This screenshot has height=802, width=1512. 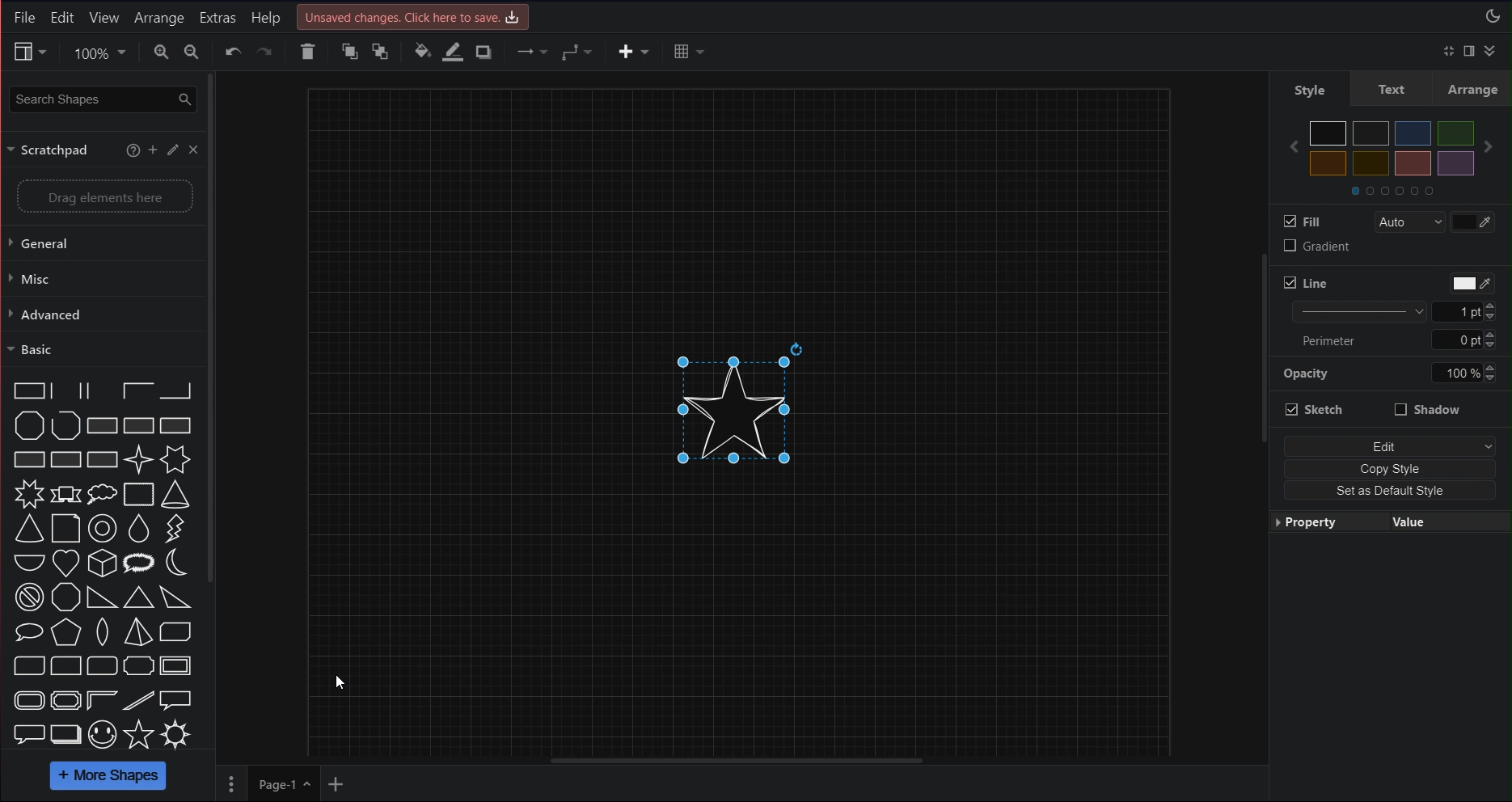 What do you see at coordinates (1494, 17) in the screenshot?
I see `Night Mode` at bounding box center [1494, 17].